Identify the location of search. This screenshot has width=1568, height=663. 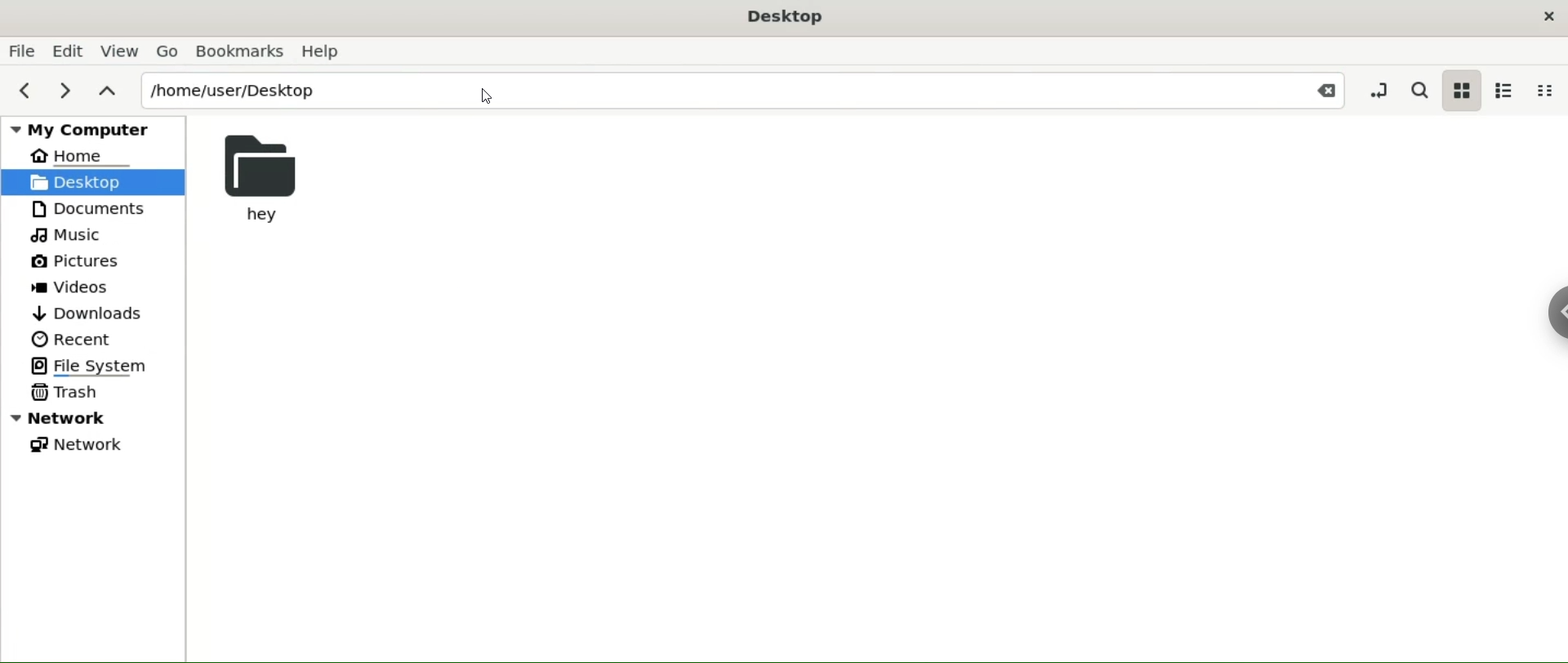
(1419, 90).